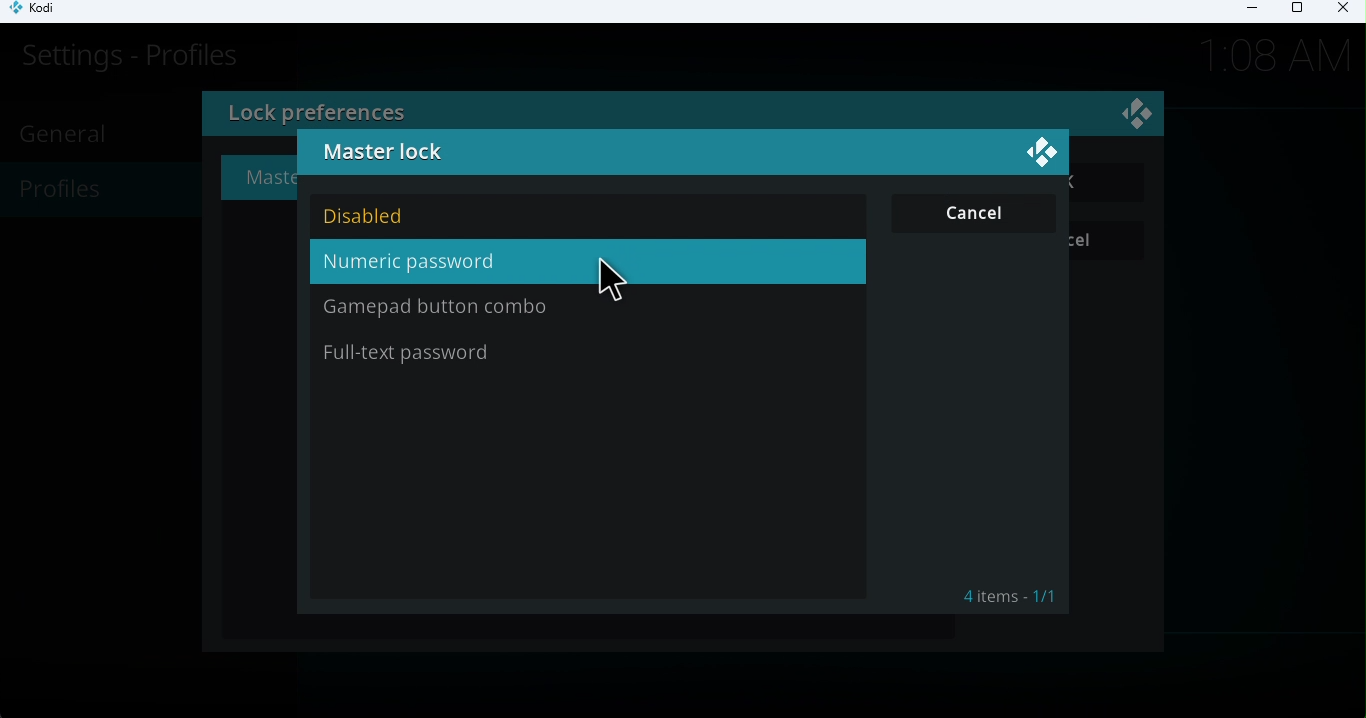 The height and width of the screenshot is (718, 1366). I want to click on Numeric password, so click(457, 261).